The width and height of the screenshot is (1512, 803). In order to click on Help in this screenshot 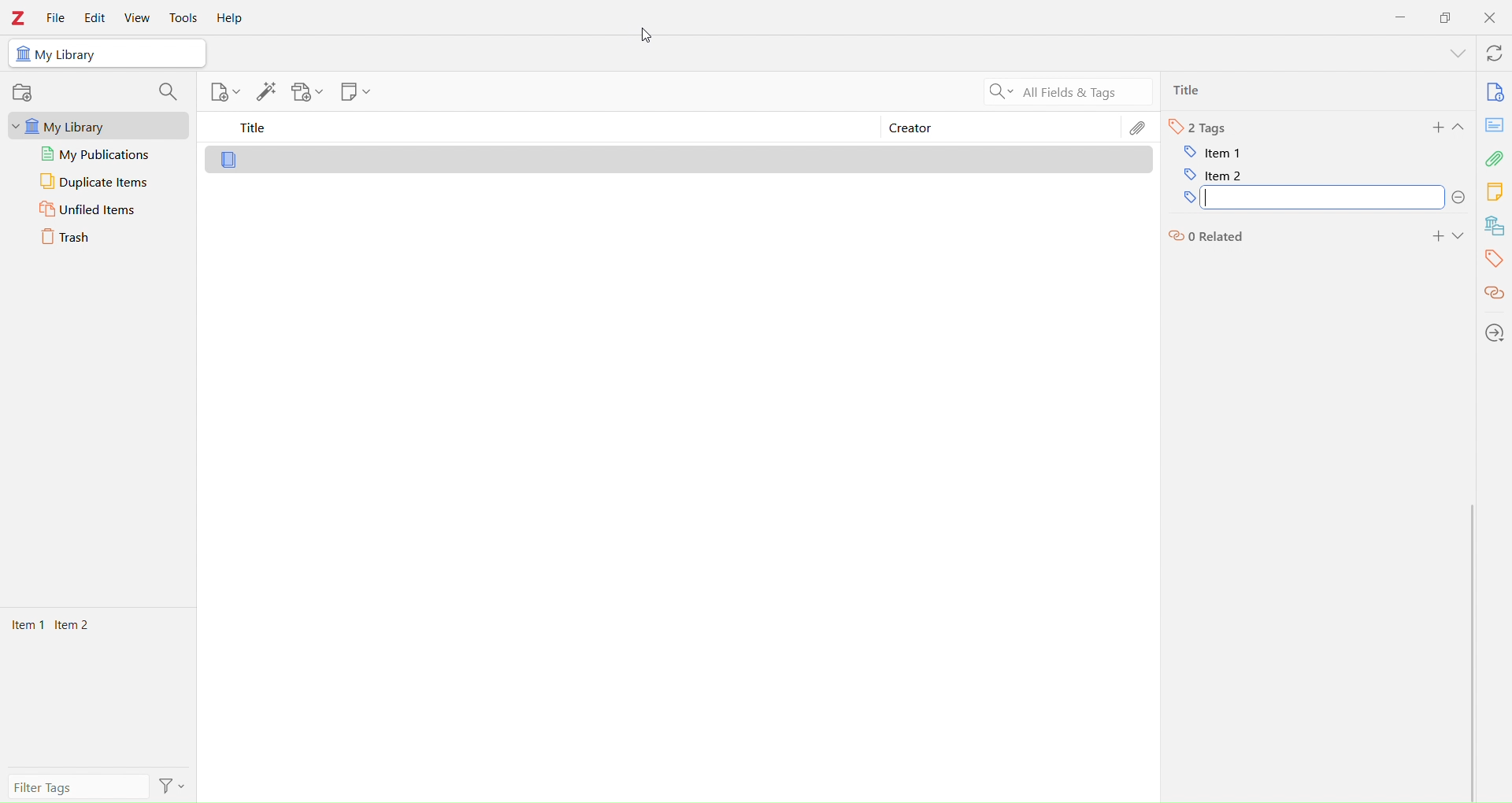, I will do `click(230, 19)`.